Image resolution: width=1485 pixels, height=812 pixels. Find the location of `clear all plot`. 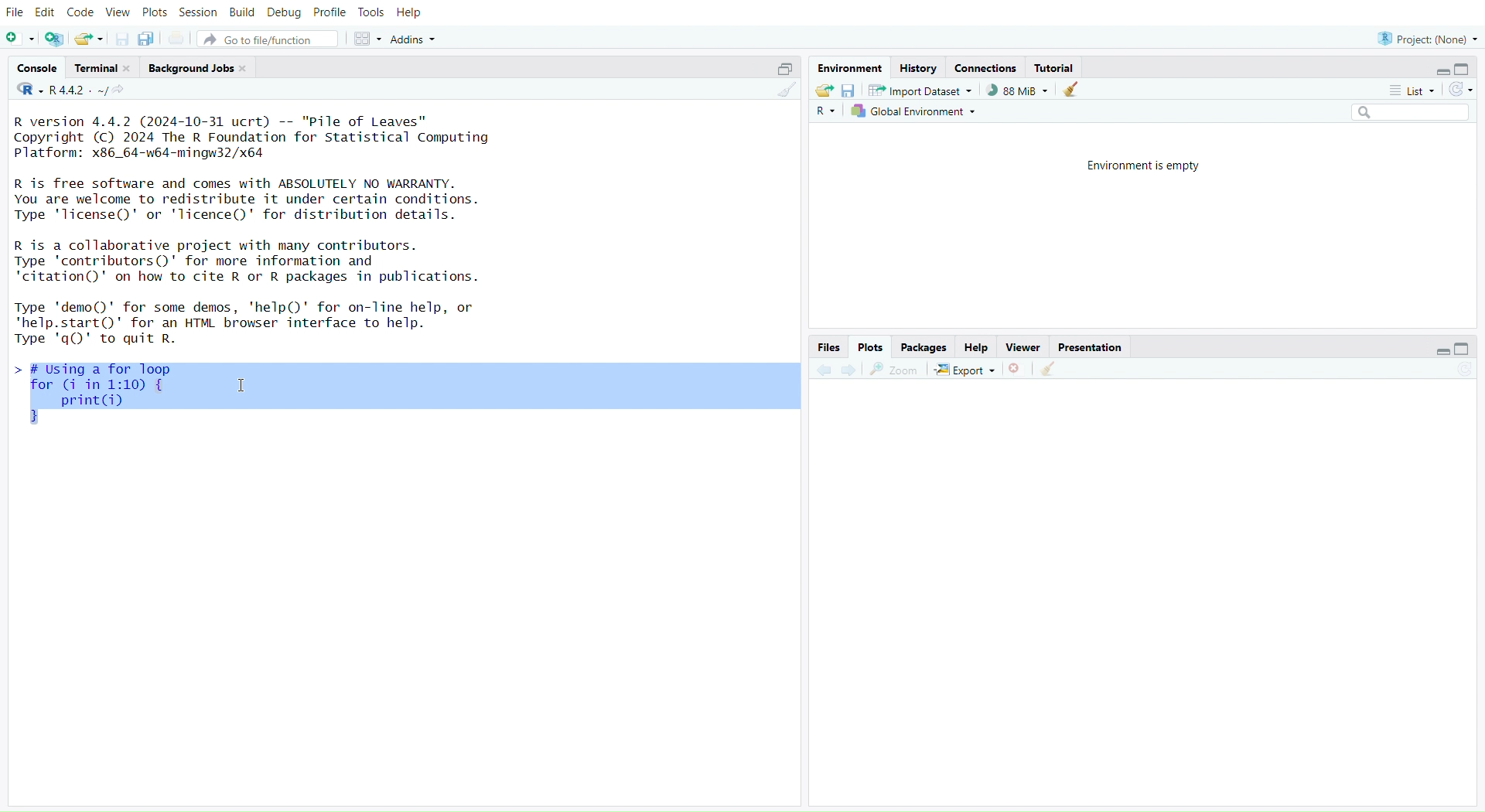

clear all plot is located at coordinates (1050, 370).